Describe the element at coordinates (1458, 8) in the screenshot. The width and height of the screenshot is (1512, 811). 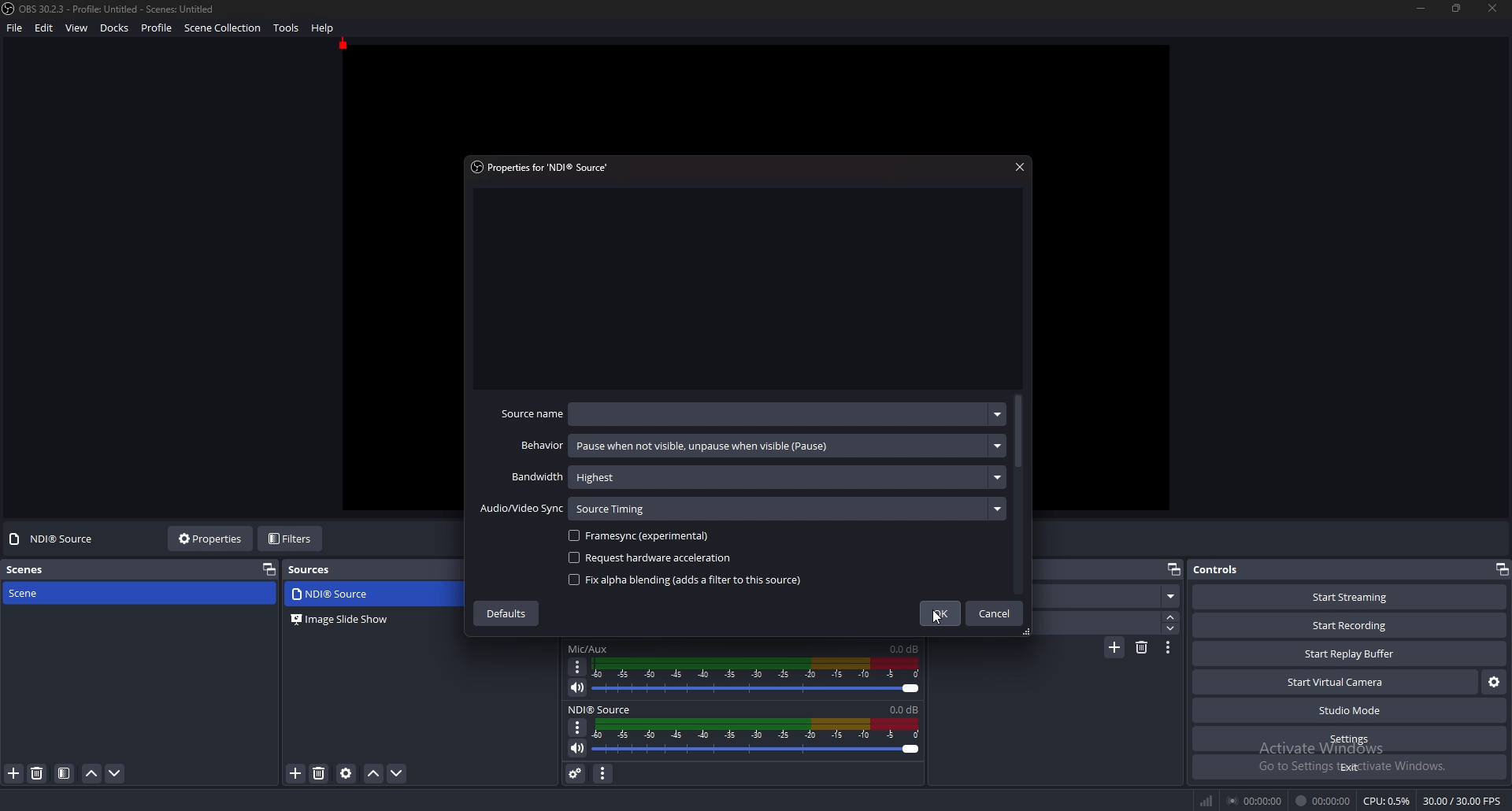
I see `resize` at that location.